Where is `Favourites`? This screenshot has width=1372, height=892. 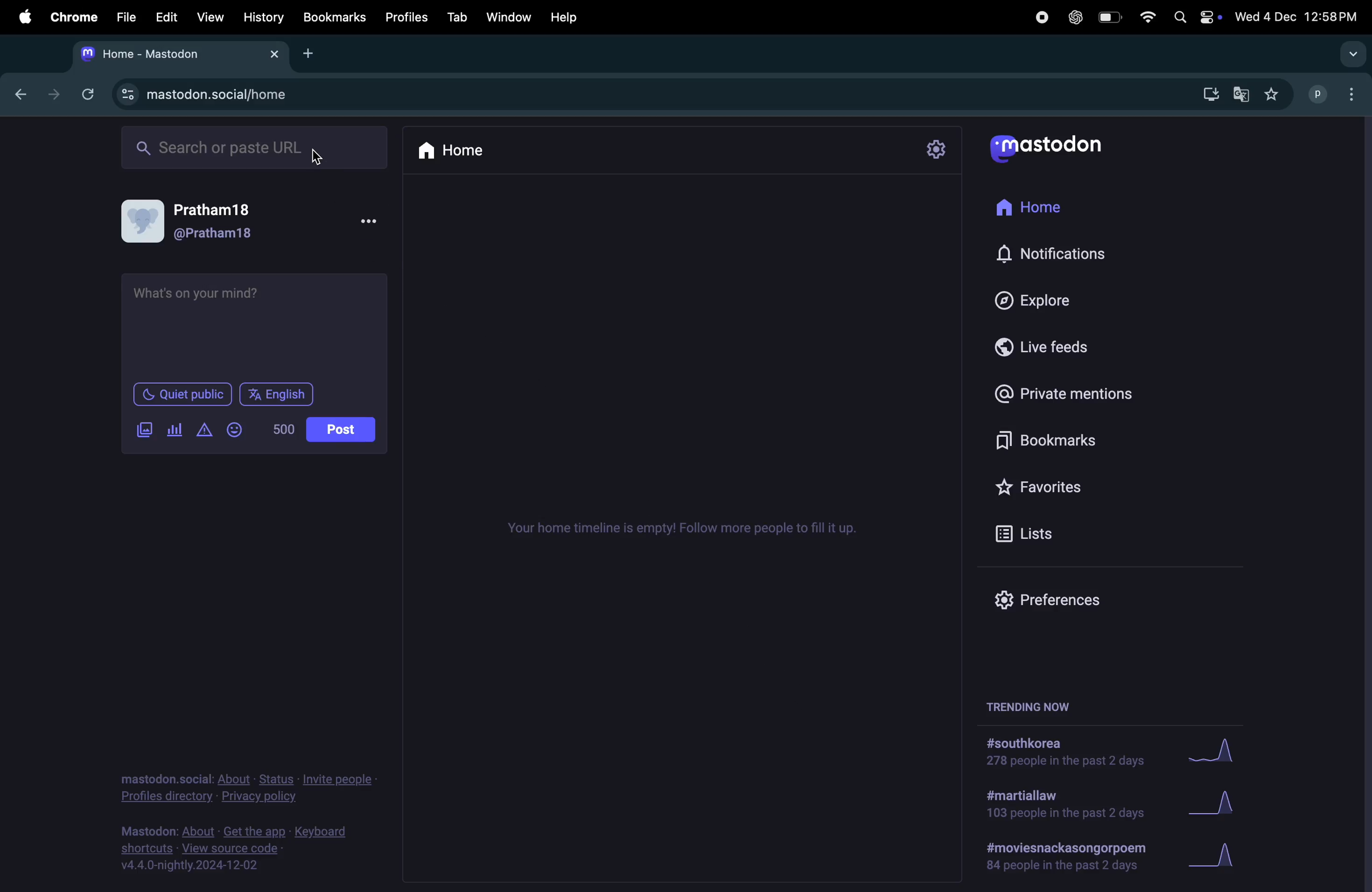 Favourites is located at coordinates (1048, 487).